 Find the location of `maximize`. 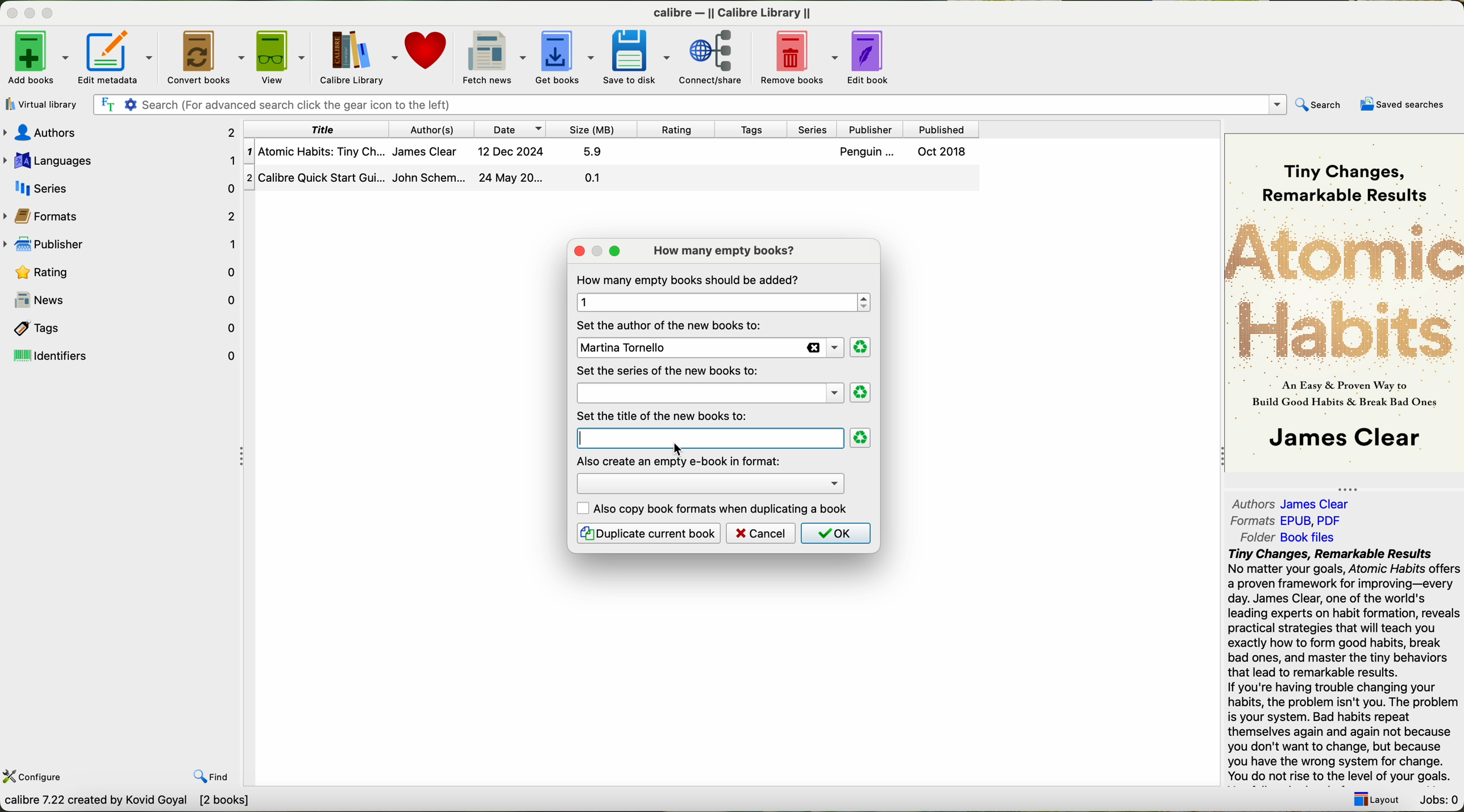

maximize is located at coordinates (49, 12).